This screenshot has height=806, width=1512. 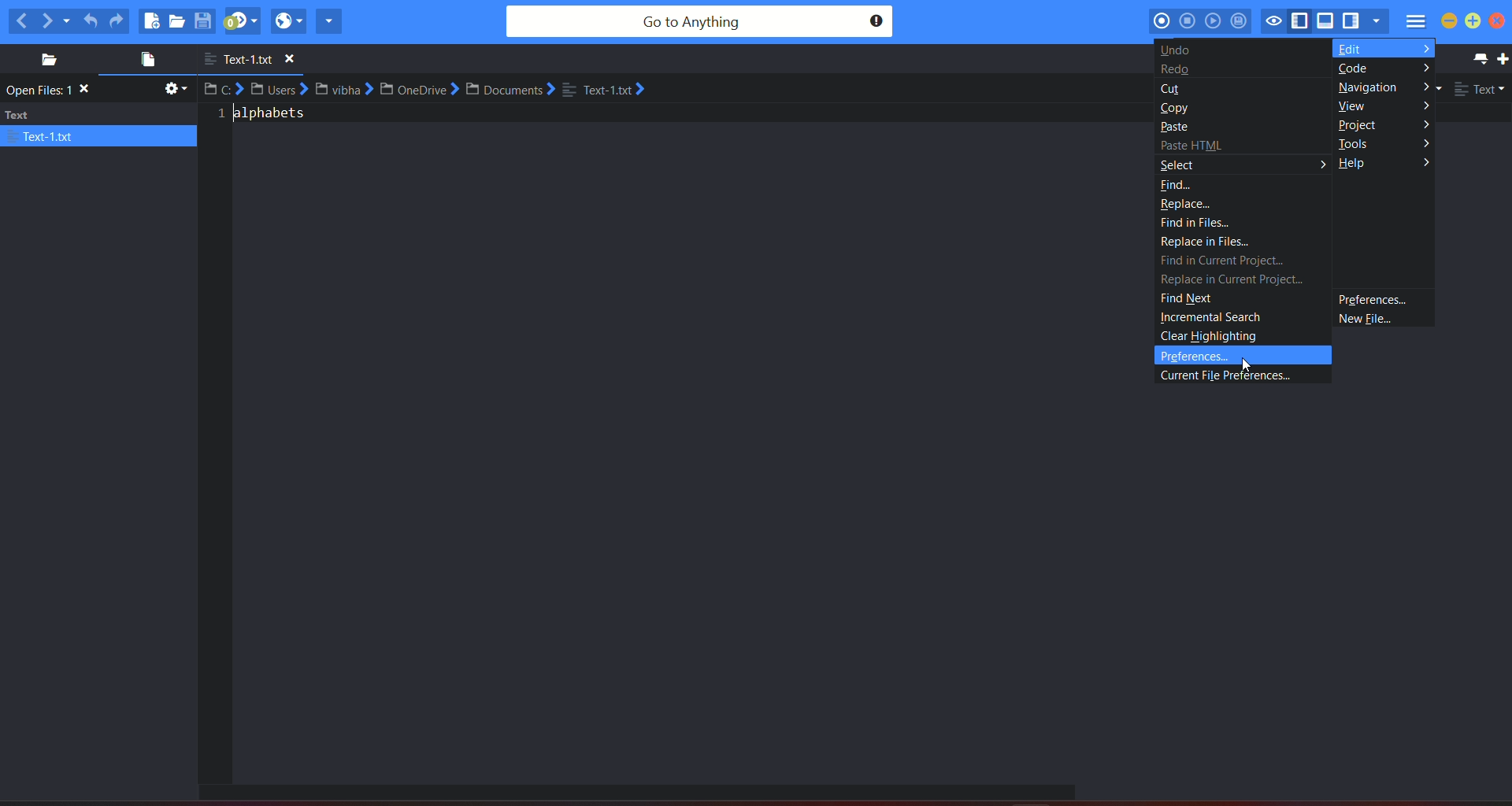 What do you see at coordinates (1357, 145) in the screenshot?
I see `tools` at bounding box center [1357, 145].